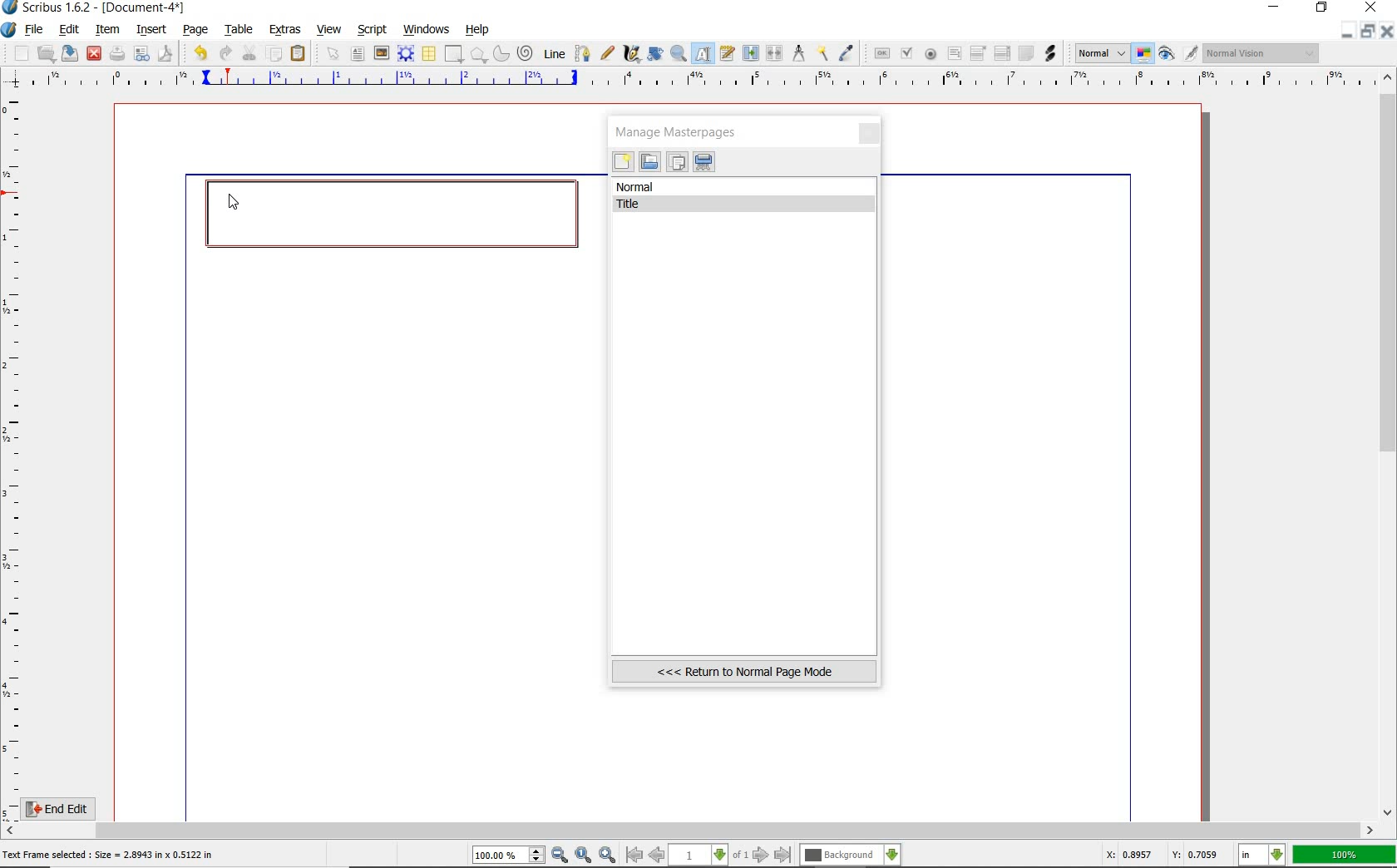 Image resolution: width=1397 pixels, height=868 pixels. Describe the element at coordinates (699, 81) in the screenshot. I see `ruler` at that location.